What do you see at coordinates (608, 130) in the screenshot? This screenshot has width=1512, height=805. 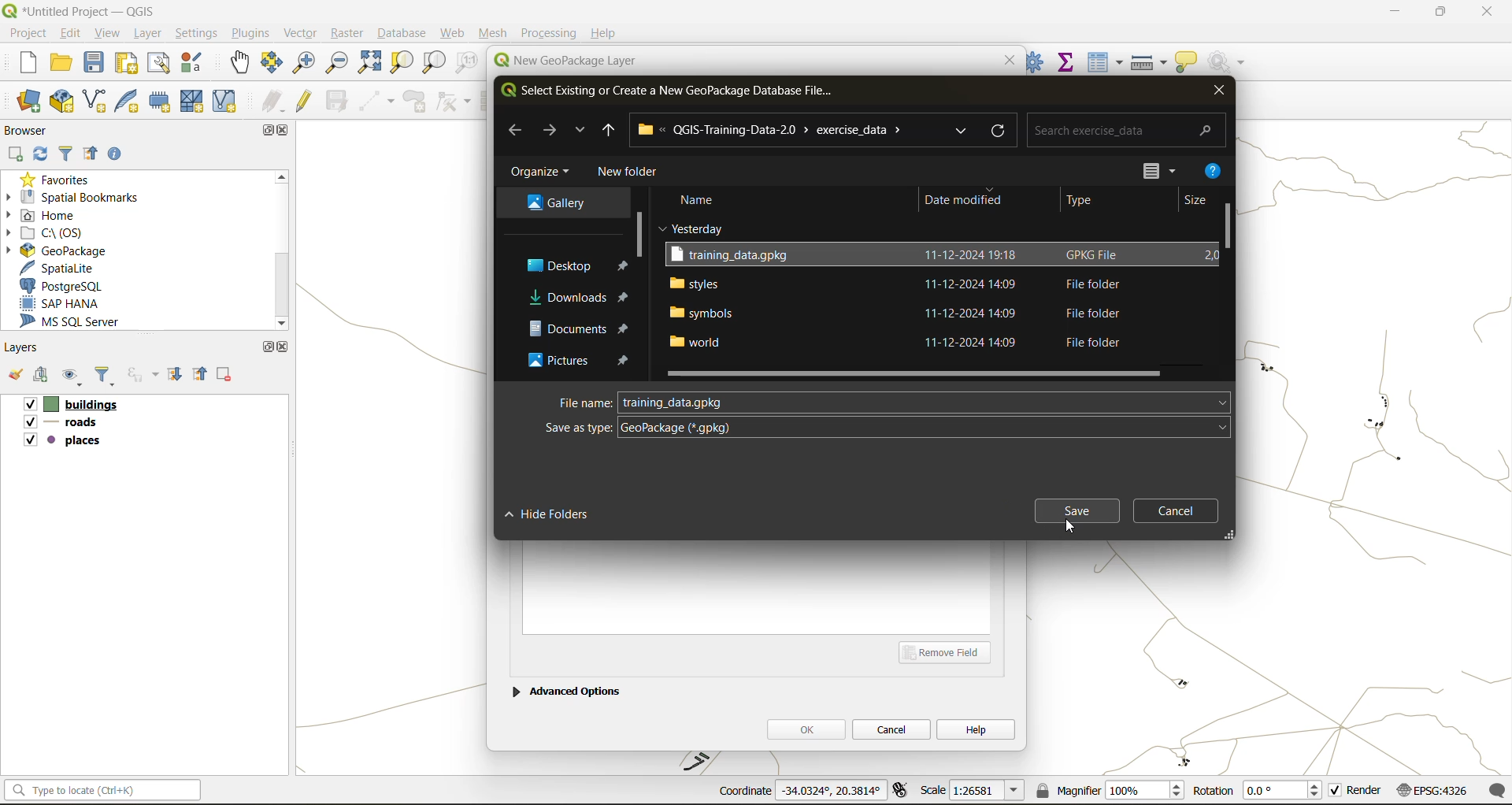 I see `Up arrow` at bounding box center [608, 130].